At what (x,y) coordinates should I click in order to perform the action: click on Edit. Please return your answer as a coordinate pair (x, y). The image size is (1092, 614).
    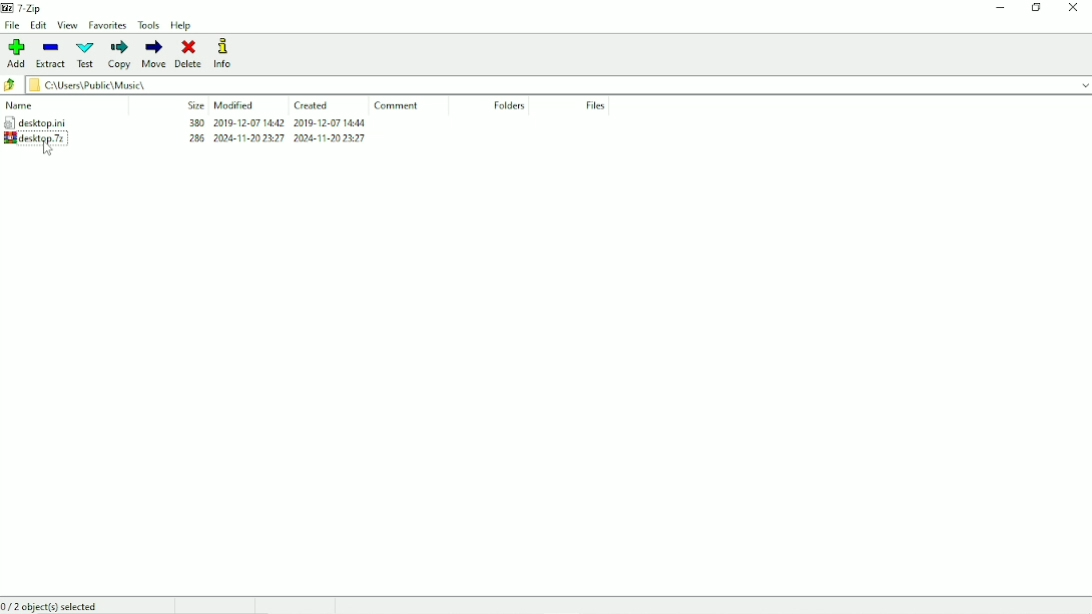
    Looking at the image, I should click on (39, 26).